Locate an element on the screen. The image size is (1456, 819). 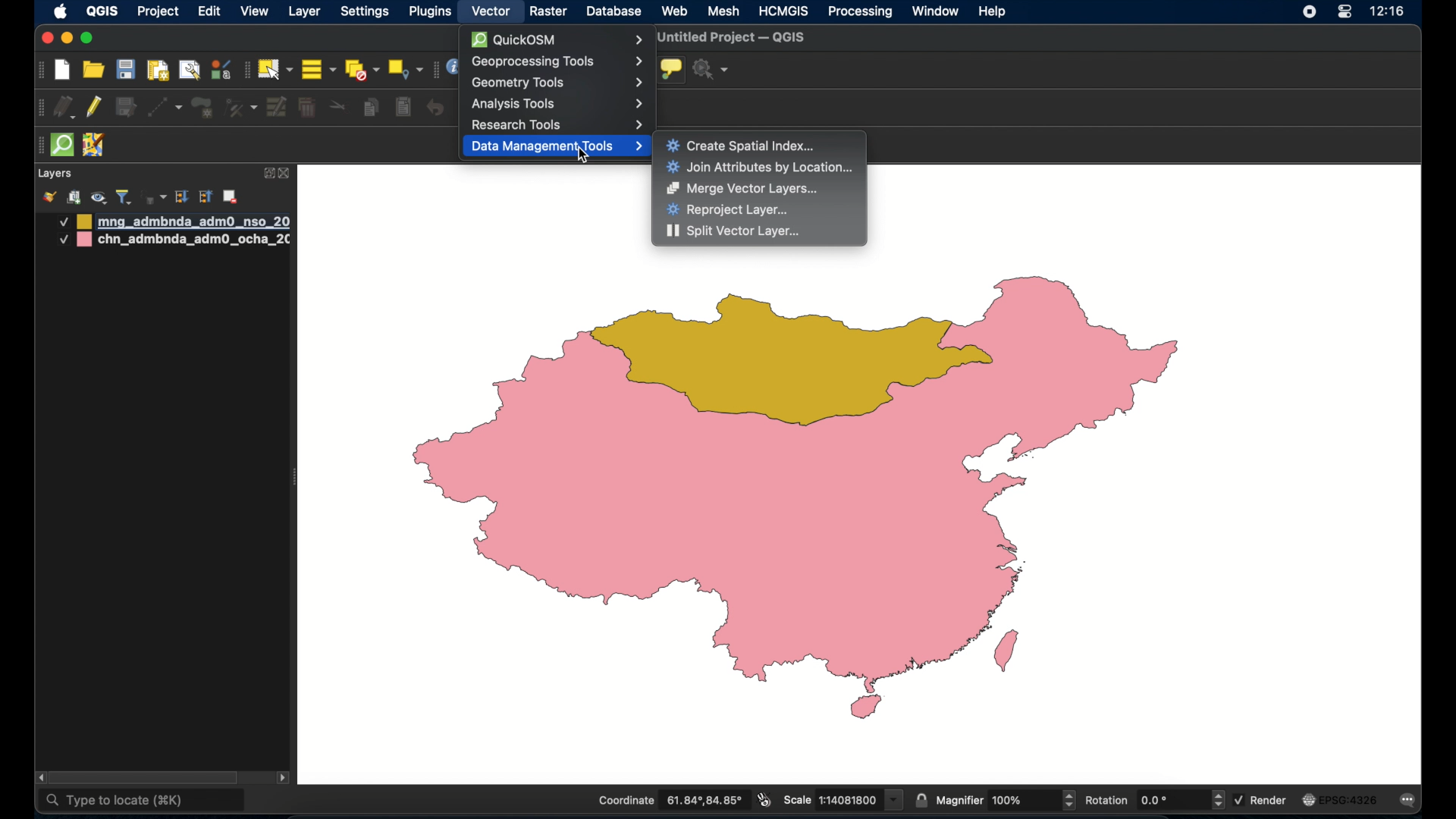
join attributes by location is located at coordinates (761, 168).